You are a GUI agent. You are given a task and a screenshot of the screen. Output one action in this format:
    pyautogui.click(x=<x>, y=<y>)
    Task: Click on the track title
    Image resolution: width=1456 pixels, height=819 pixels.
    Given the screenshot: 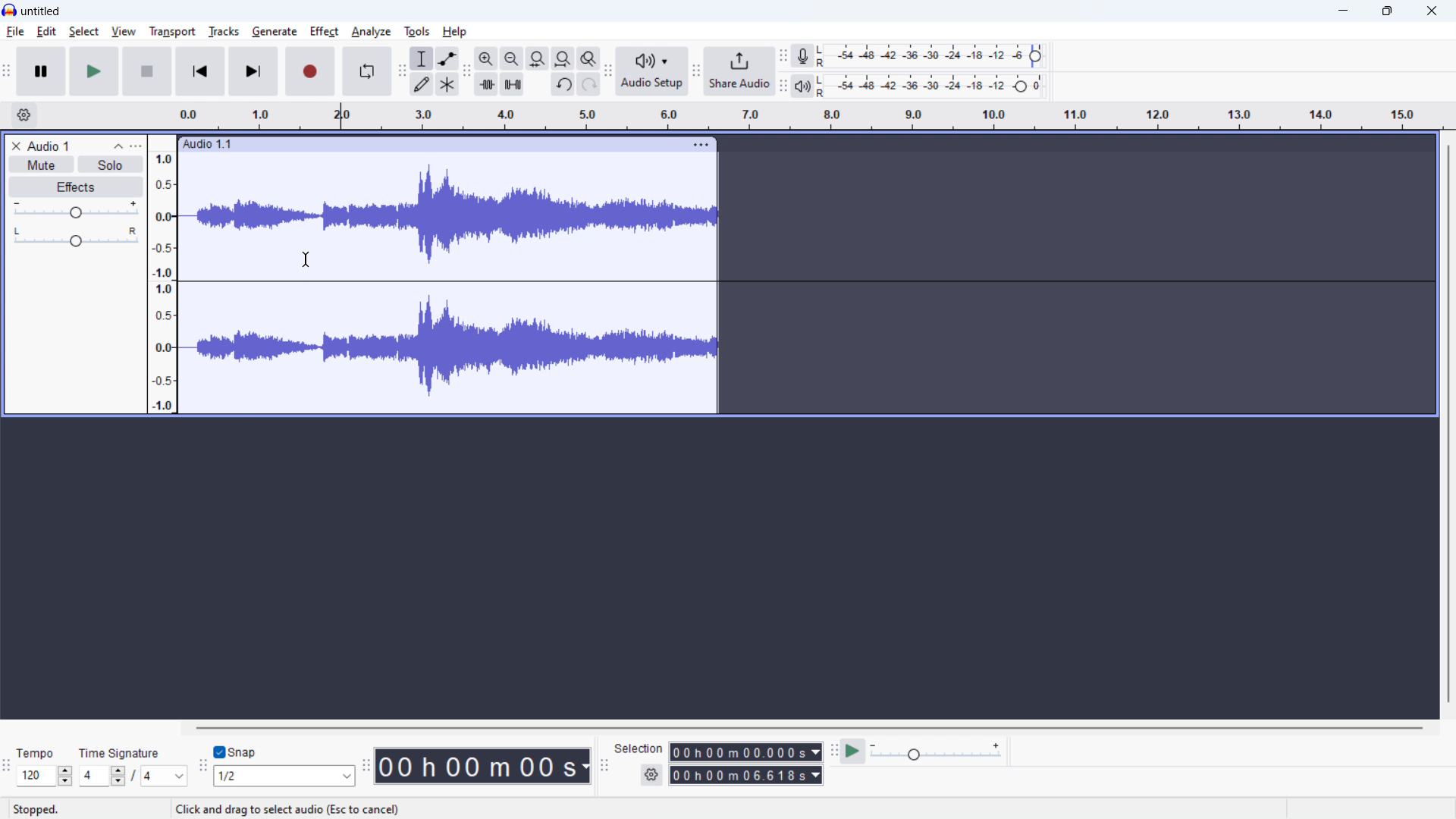 What is the action you would take?
    pyautogui.click(x=49, y=146)
    